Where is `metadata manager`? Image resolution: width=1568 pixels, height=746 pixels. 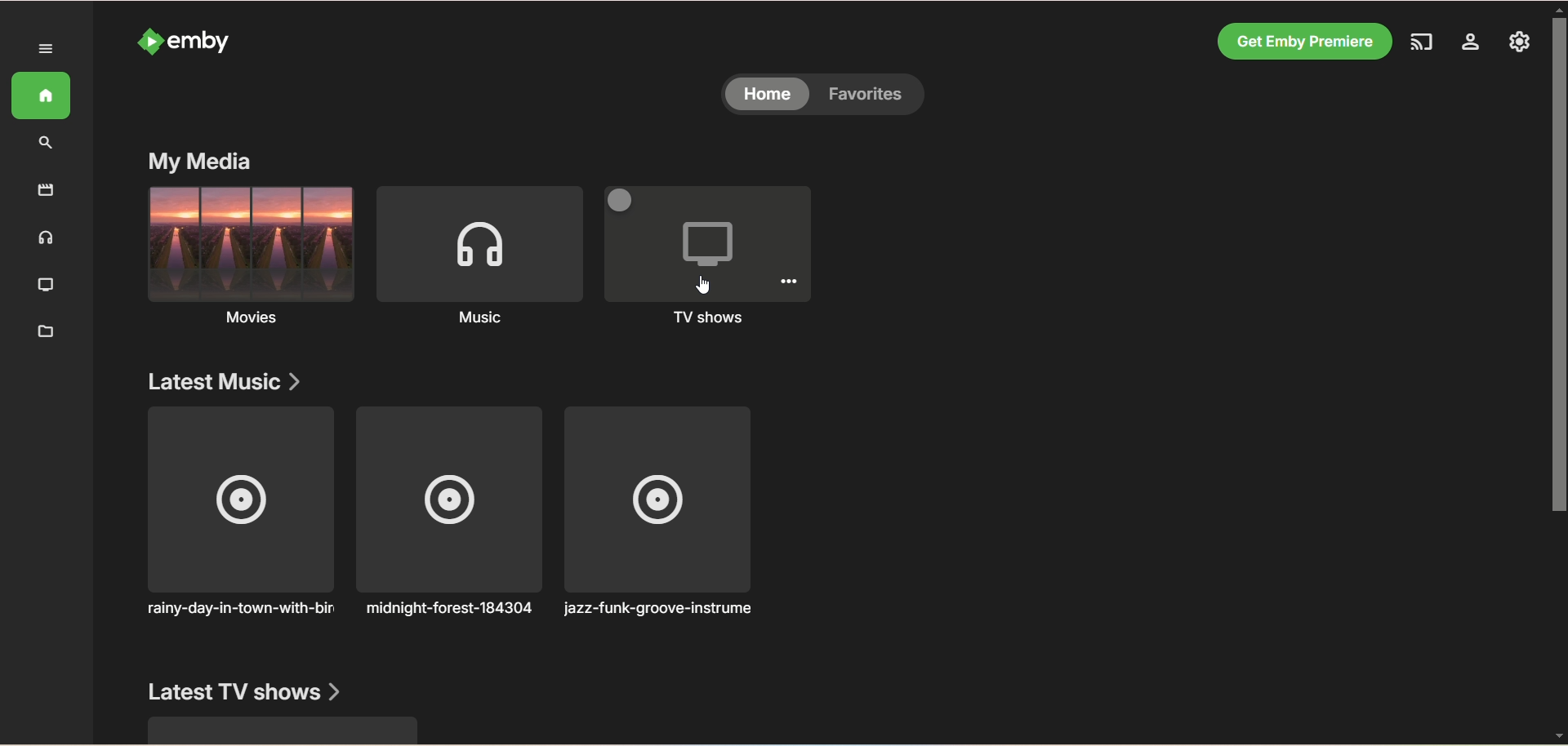 metadata manager is located at coordinates (43, 332).